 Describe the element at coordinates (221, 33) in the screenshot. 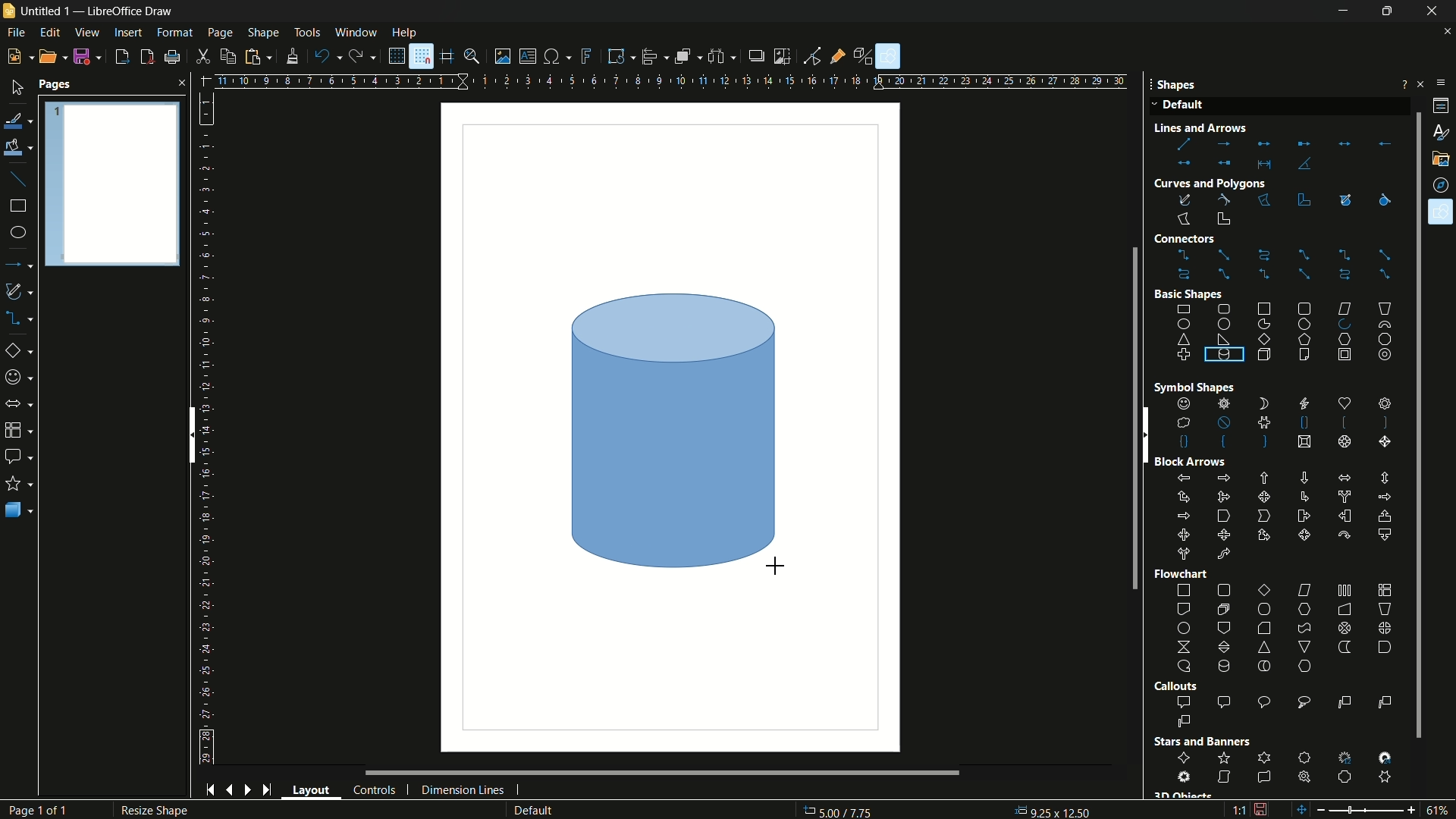

I see `page menu` at that location.